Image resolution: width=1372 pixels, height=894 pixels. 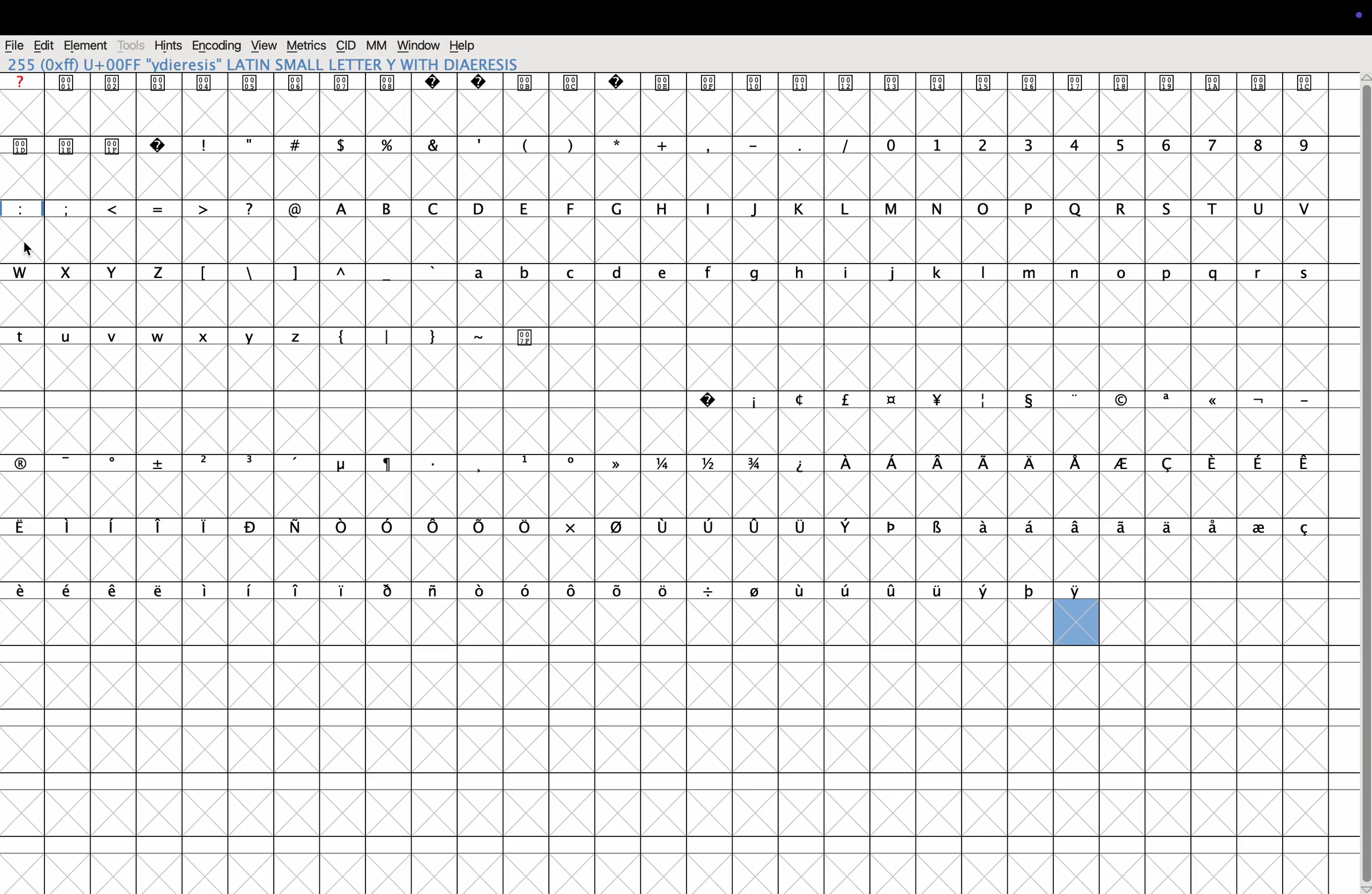 What do you see at coordinates (84, 46) in the screenshot?
I see `element` at bounding box center [84, 46].